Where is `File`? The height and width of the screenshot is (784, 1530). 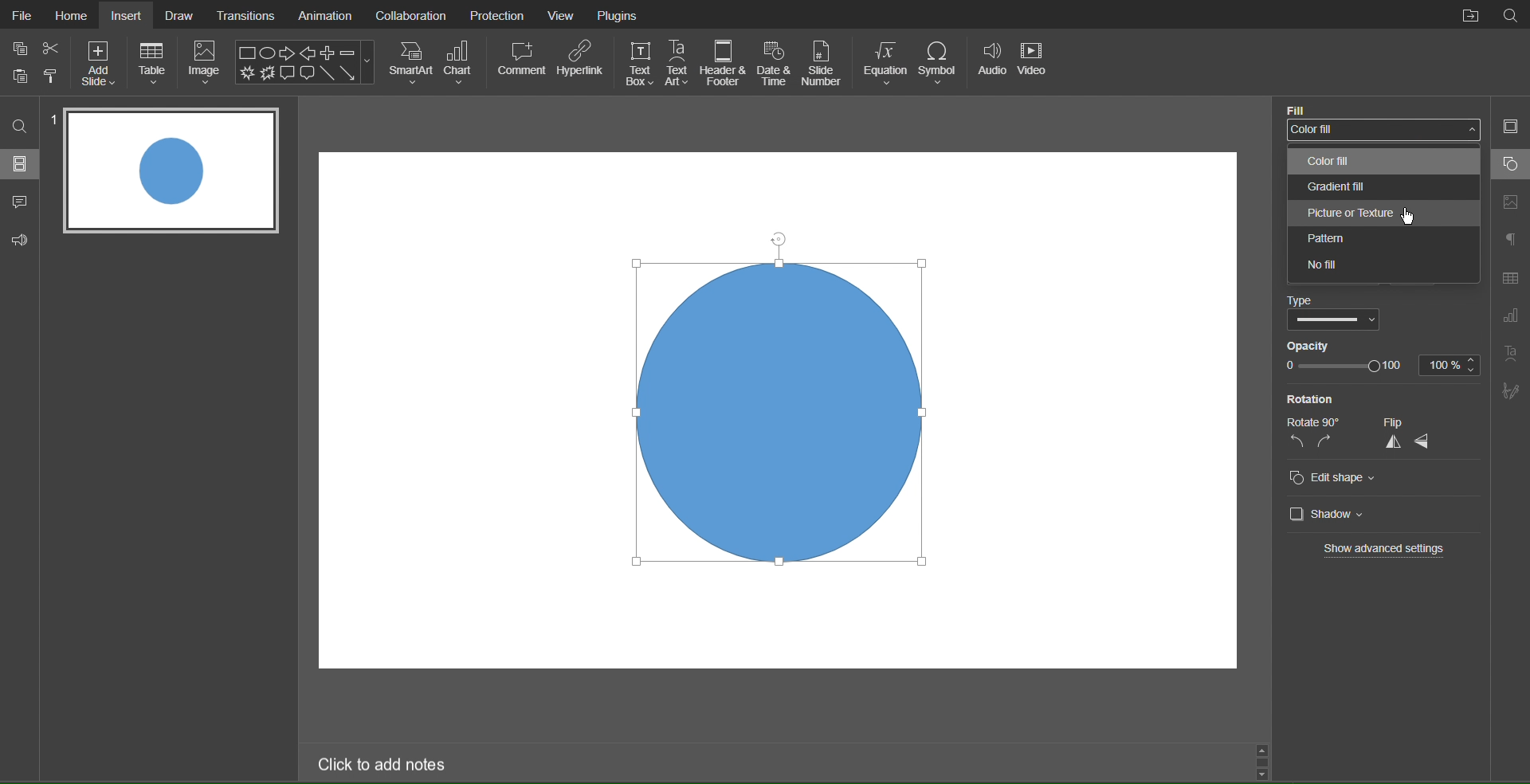
File is located at coordinates (19, 14).